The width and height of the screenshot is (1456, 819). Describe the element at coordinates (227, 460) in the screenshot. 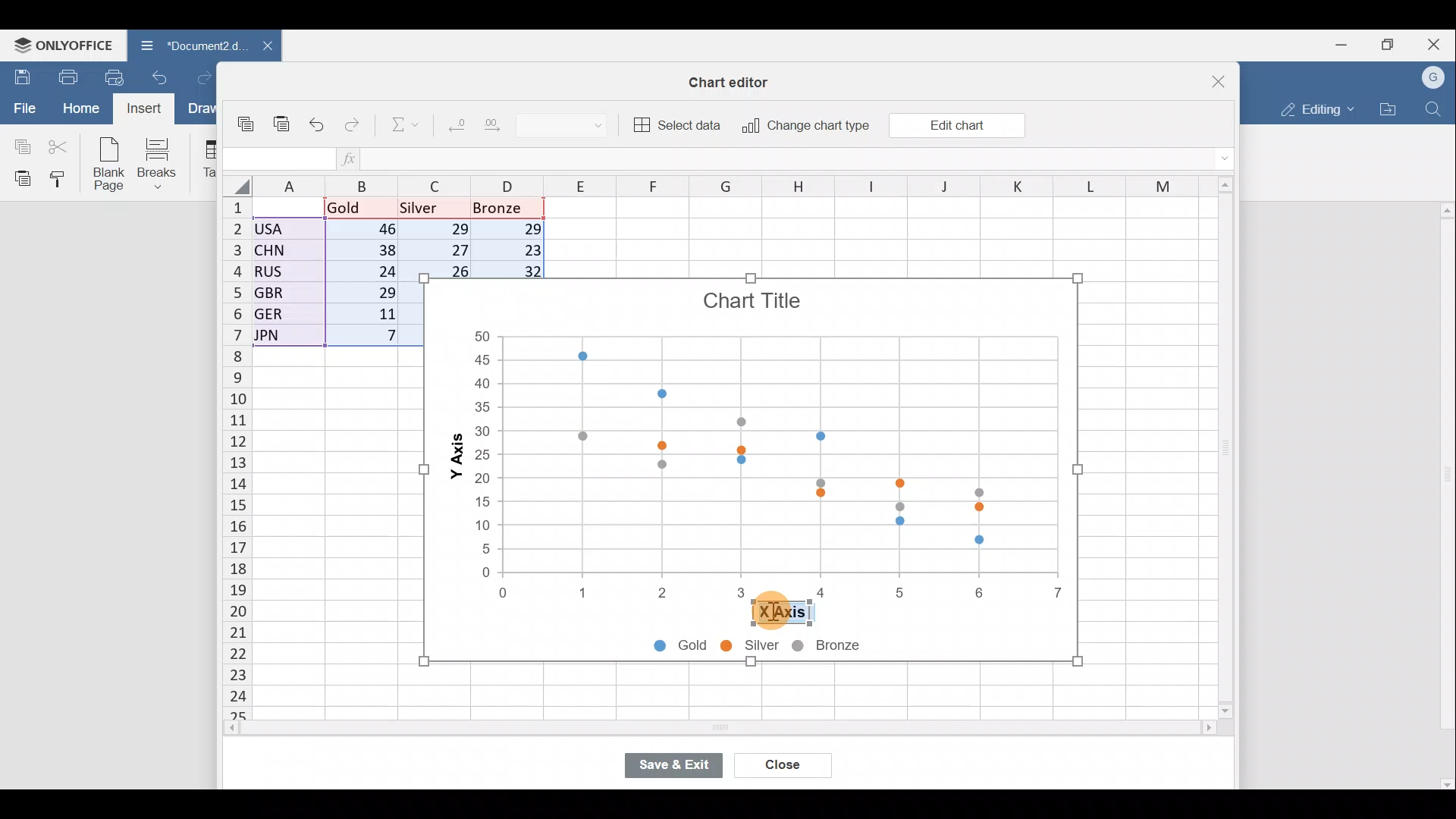

I see `Rows` at that location.